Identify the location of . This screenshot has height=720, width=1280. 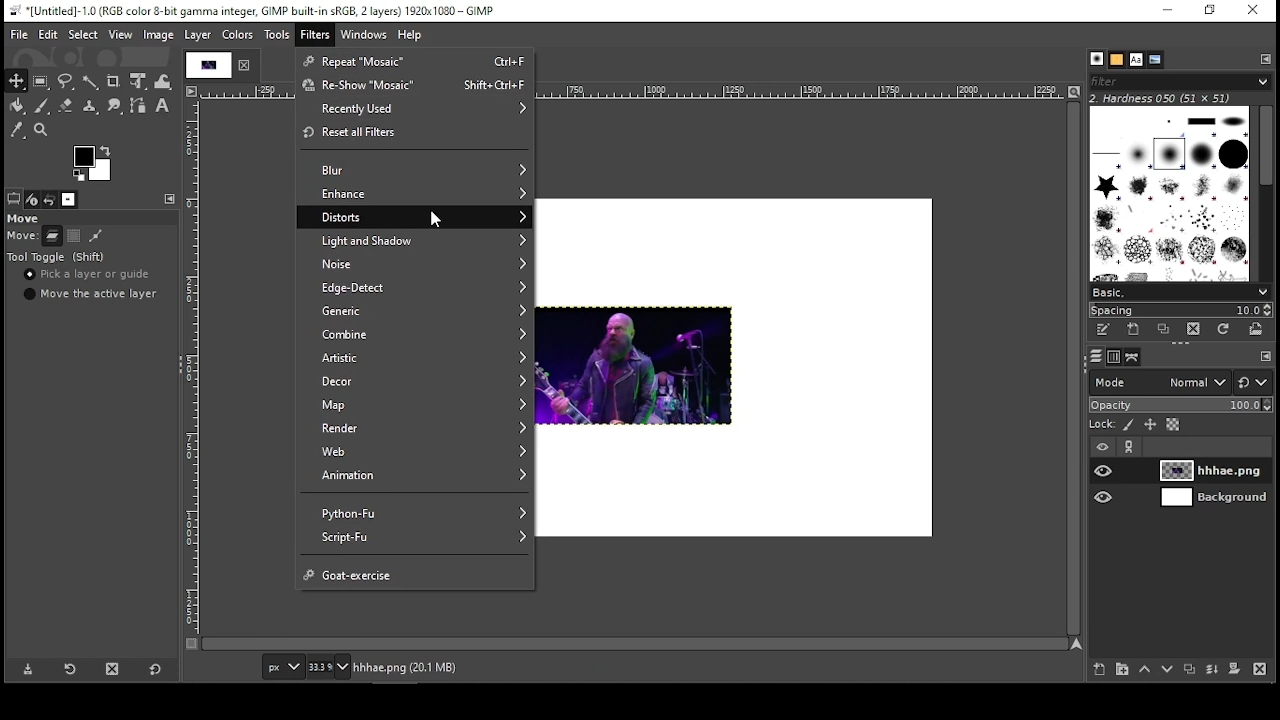
(331, 668).